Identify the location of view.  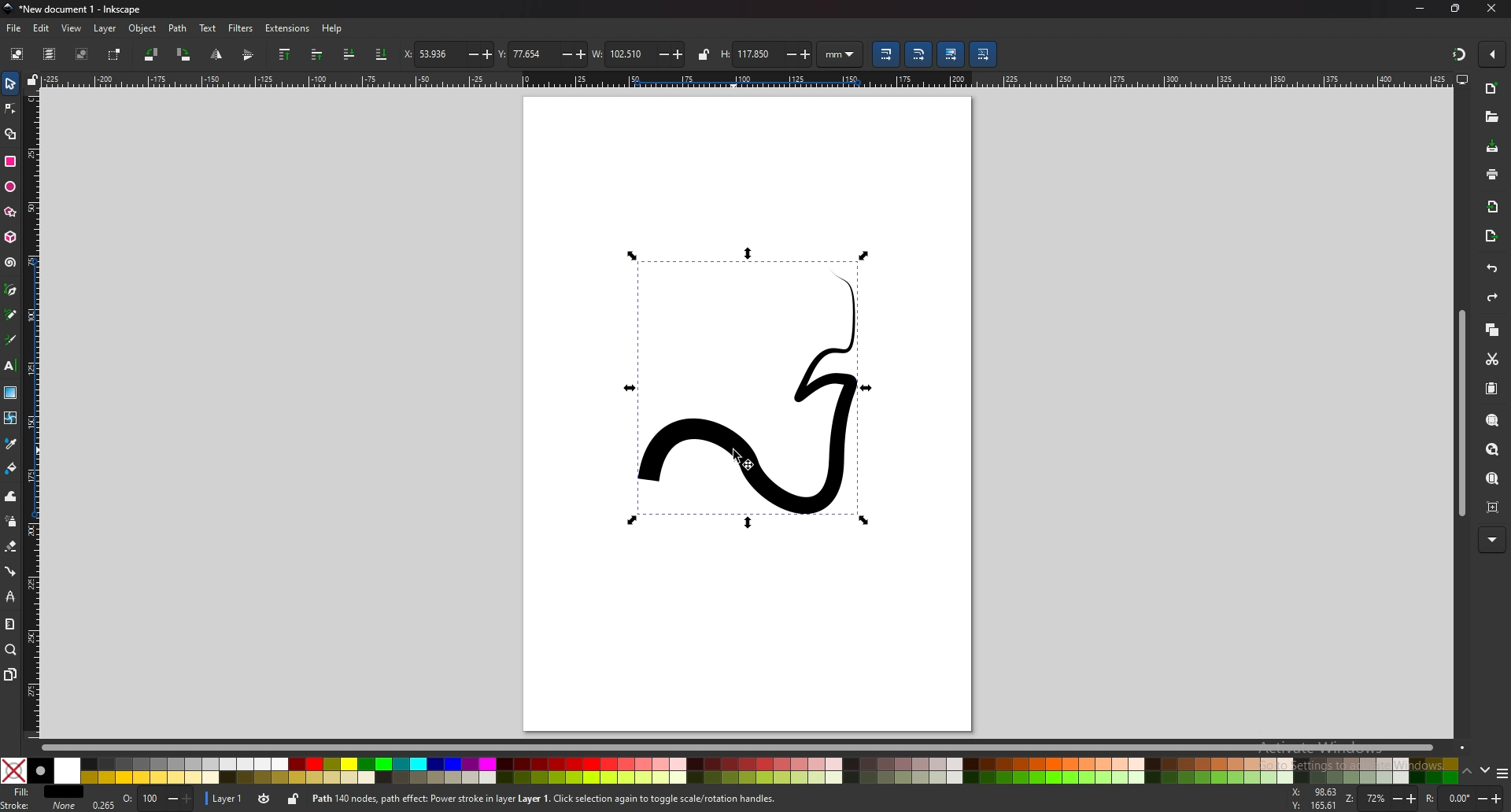
(70, 29).